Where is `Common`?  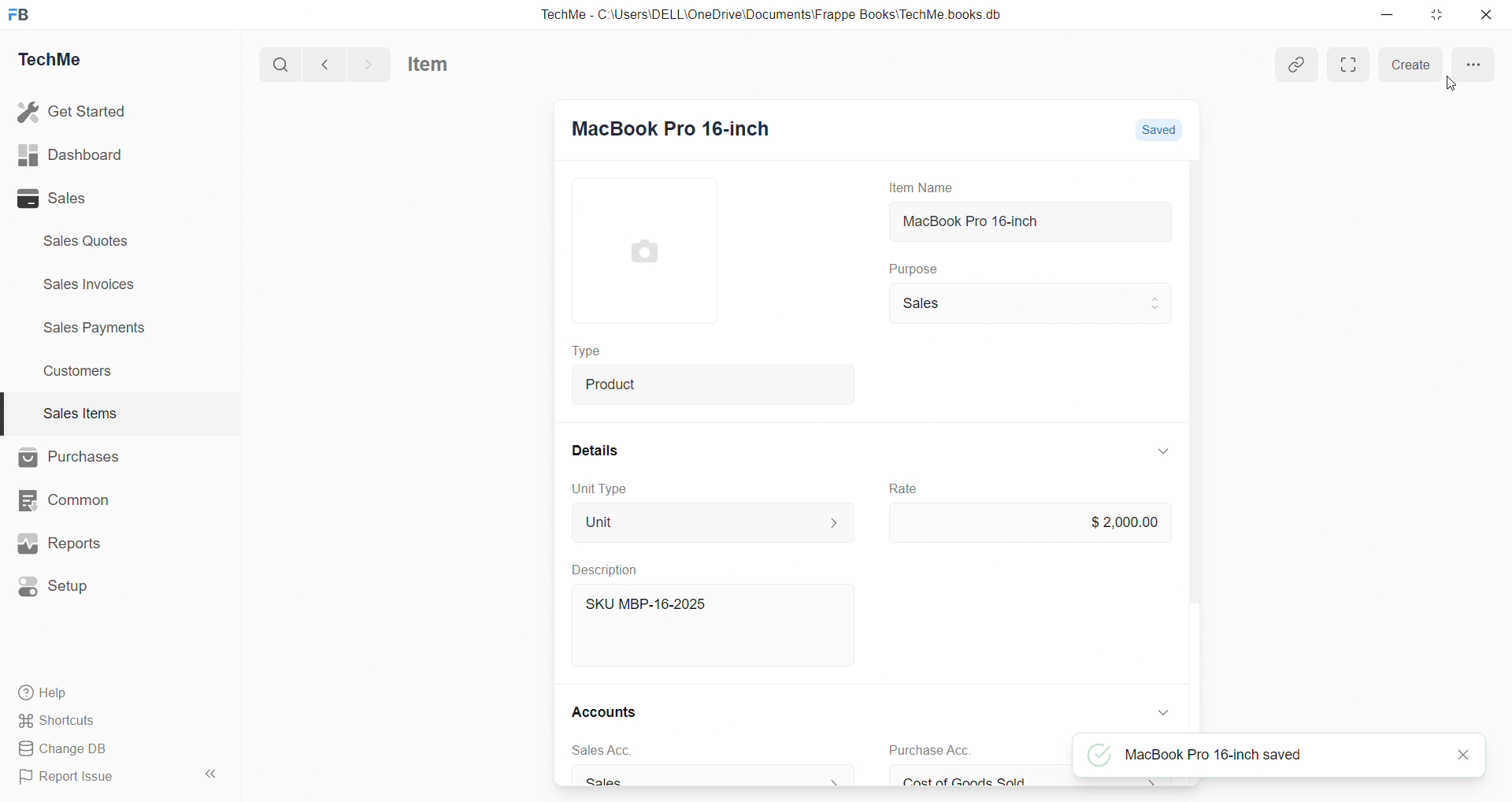 Common is located at coordinates (68, 500).